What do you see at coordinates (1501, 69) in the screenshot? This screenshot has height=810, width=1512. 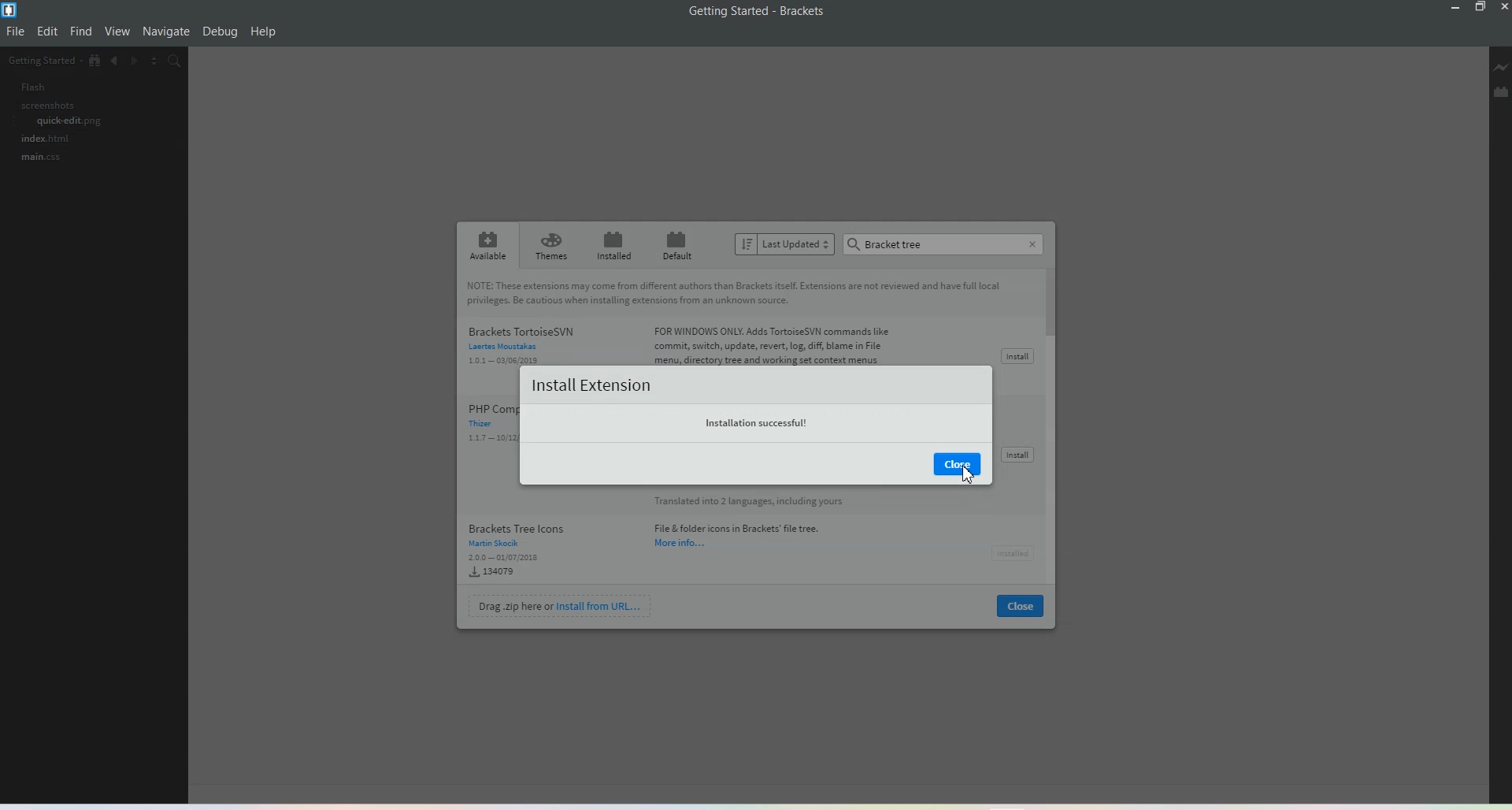 I see `Live Preview` at bounding box center [1501, 69].